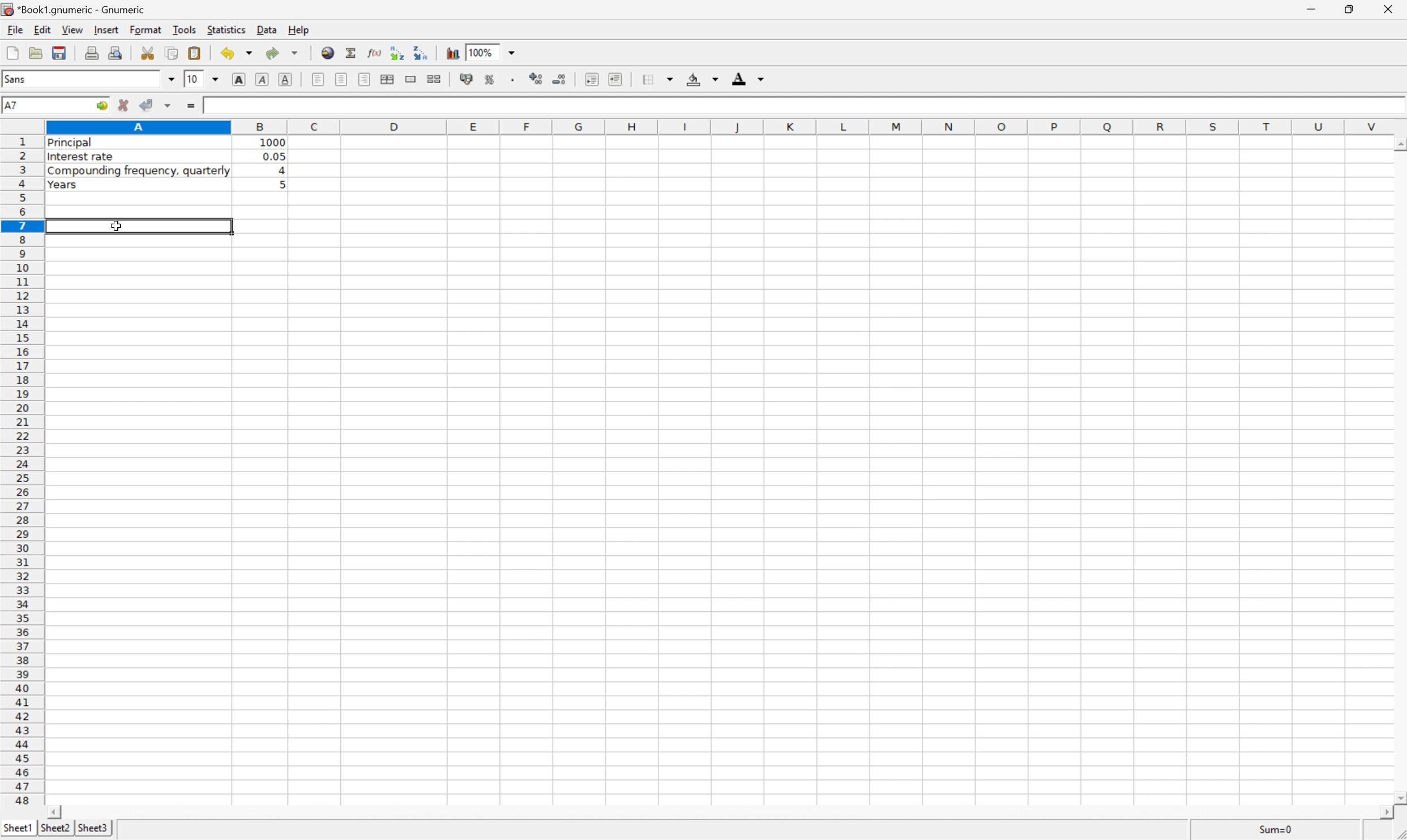 This screenshot has height=840, width=1407. Describe the element at coordinates (17, 829) in the screenshot. I see `sheet1` at that location.